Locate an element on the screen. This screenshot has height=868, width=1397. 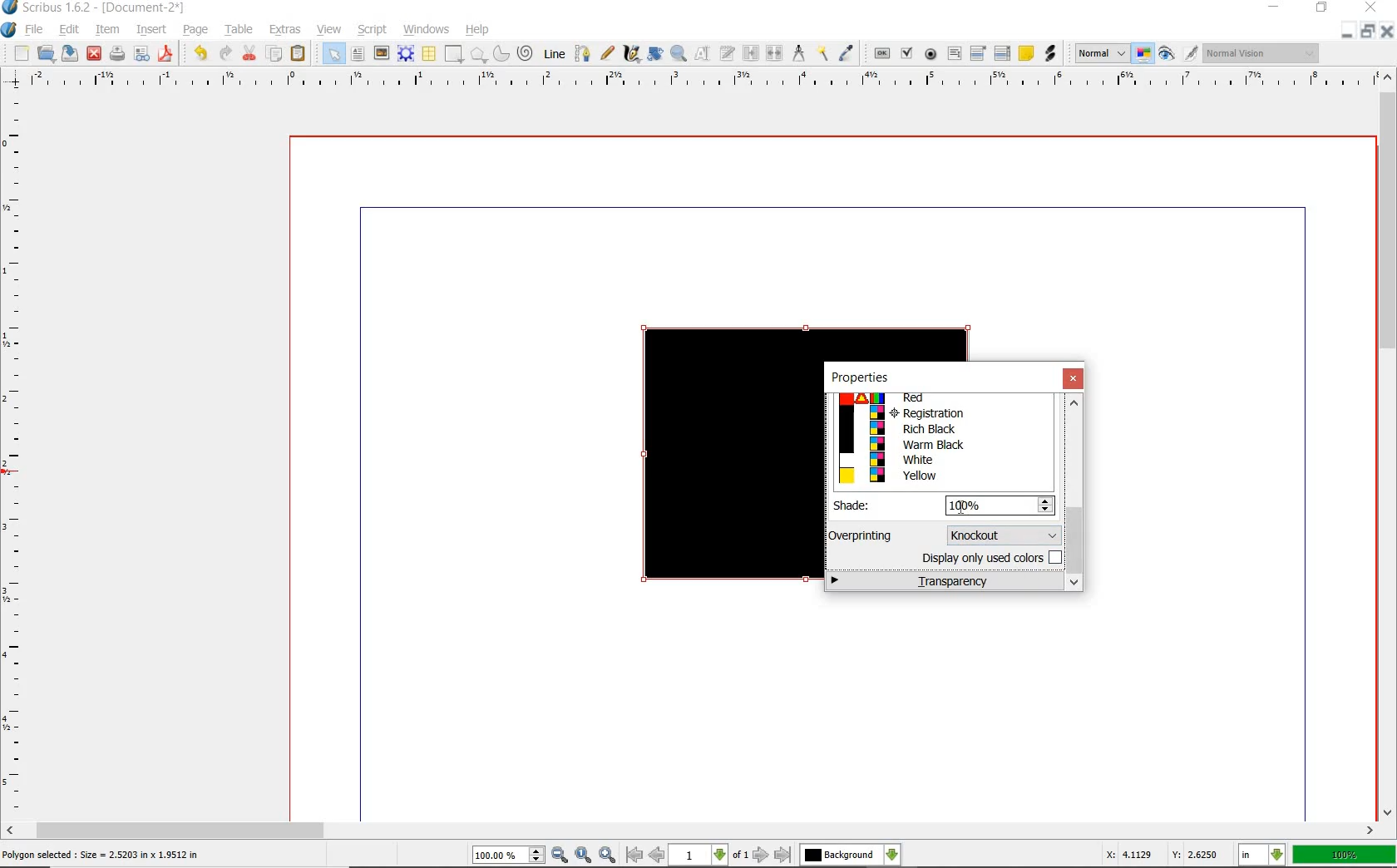
paste is located at coordinates (299, 55).